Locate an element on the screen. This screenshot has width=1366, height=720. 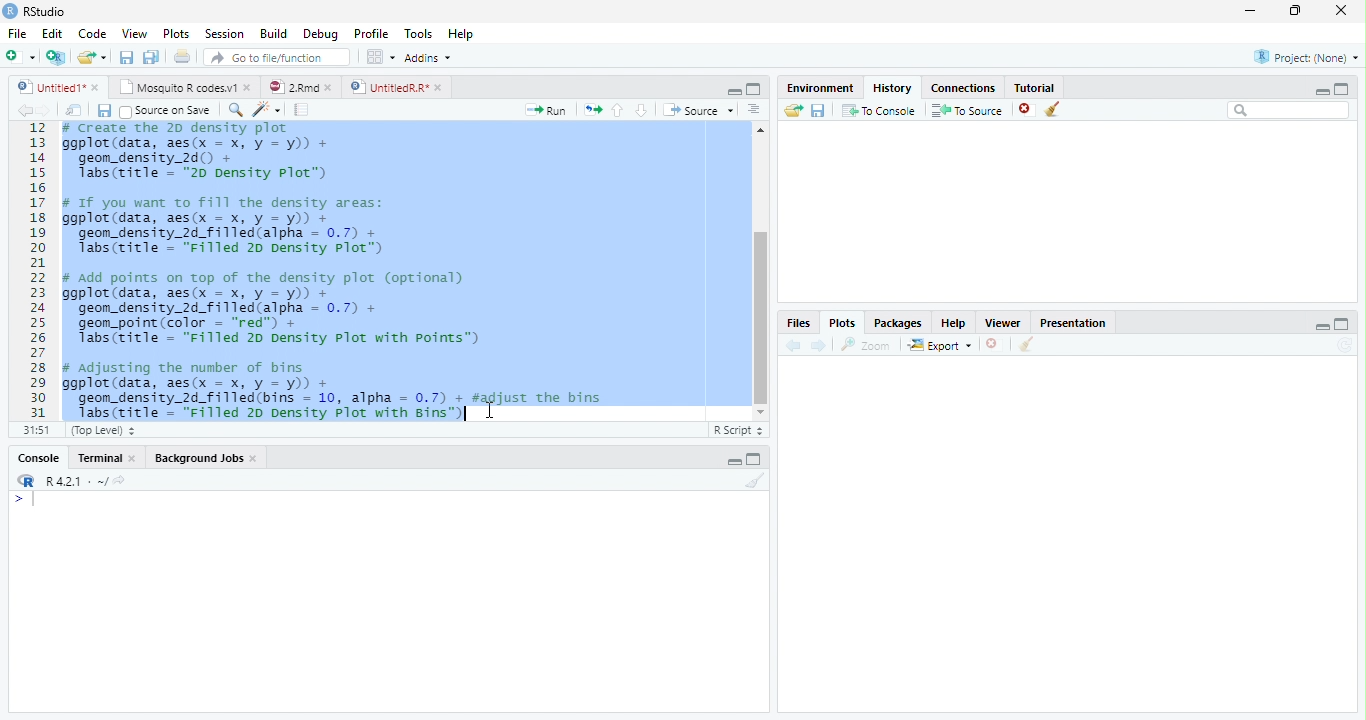
To console is located at coordinates (880, 110).